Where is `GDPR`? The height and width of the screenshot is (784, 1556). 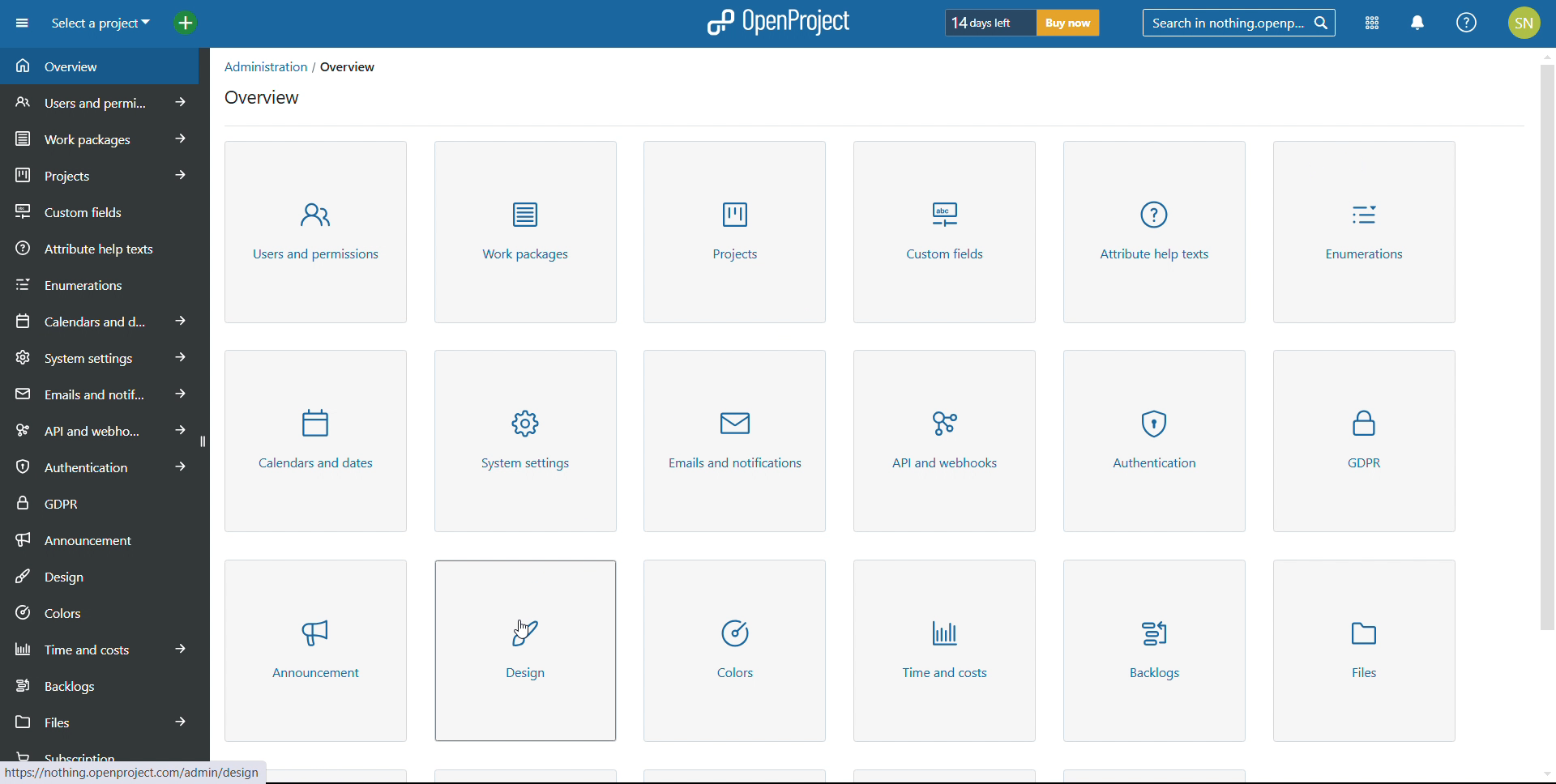 GDPR is located at coordinates (104, 501).